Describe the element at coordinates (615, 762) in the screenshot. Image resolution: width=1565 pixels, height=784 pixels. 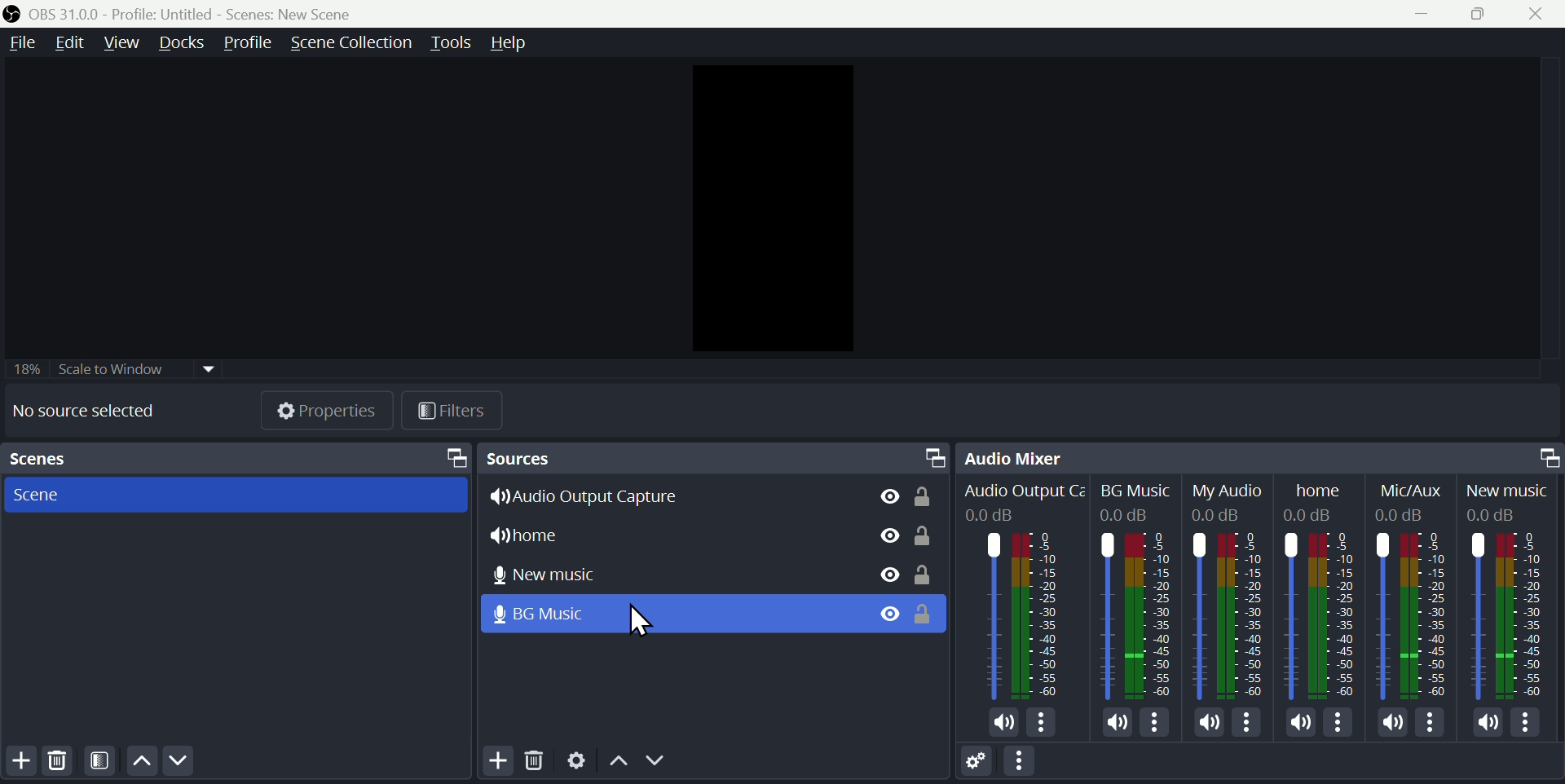
I see `Up` at that location.